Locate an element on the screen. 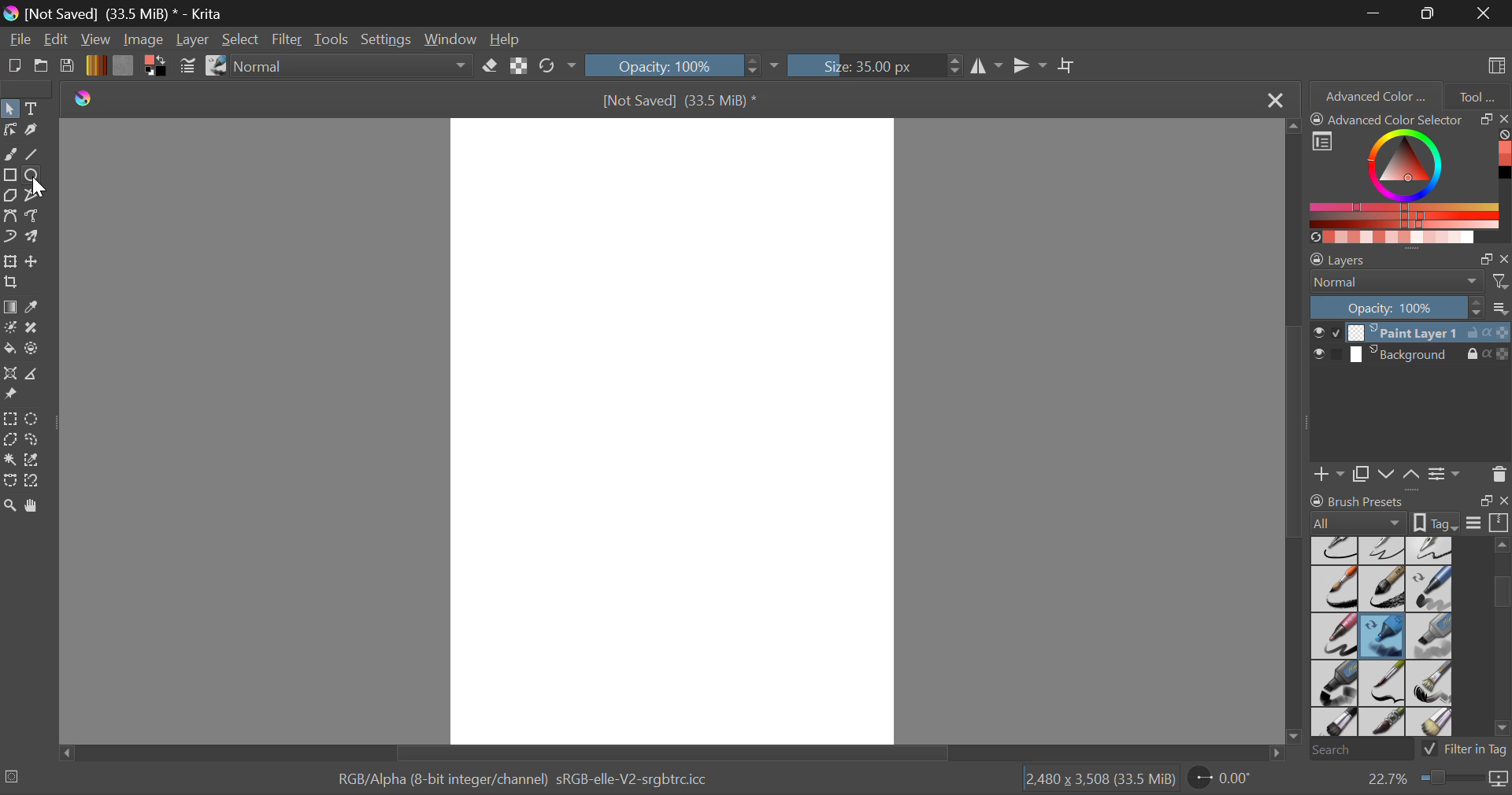 Image resolution: width=1512 pixels, height=795 pixels. Advanced Color Selector Tab Open is located at coordinates (1374, 95).